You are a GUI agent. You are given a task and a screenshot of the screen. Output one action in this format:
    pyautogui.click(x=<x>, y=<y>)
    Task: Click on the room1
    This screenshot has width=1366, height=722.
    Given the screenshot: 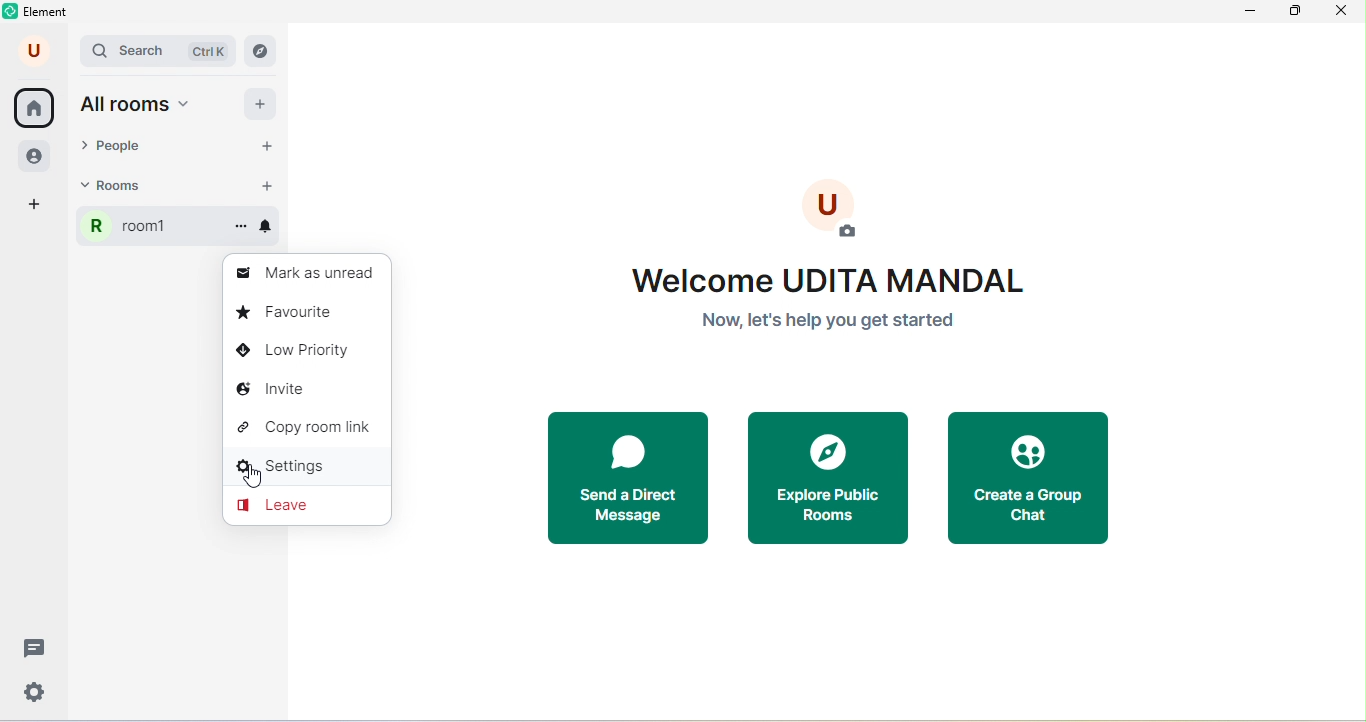 What is the action you would take?
    pyautogui.click(x=139, y=231)
    